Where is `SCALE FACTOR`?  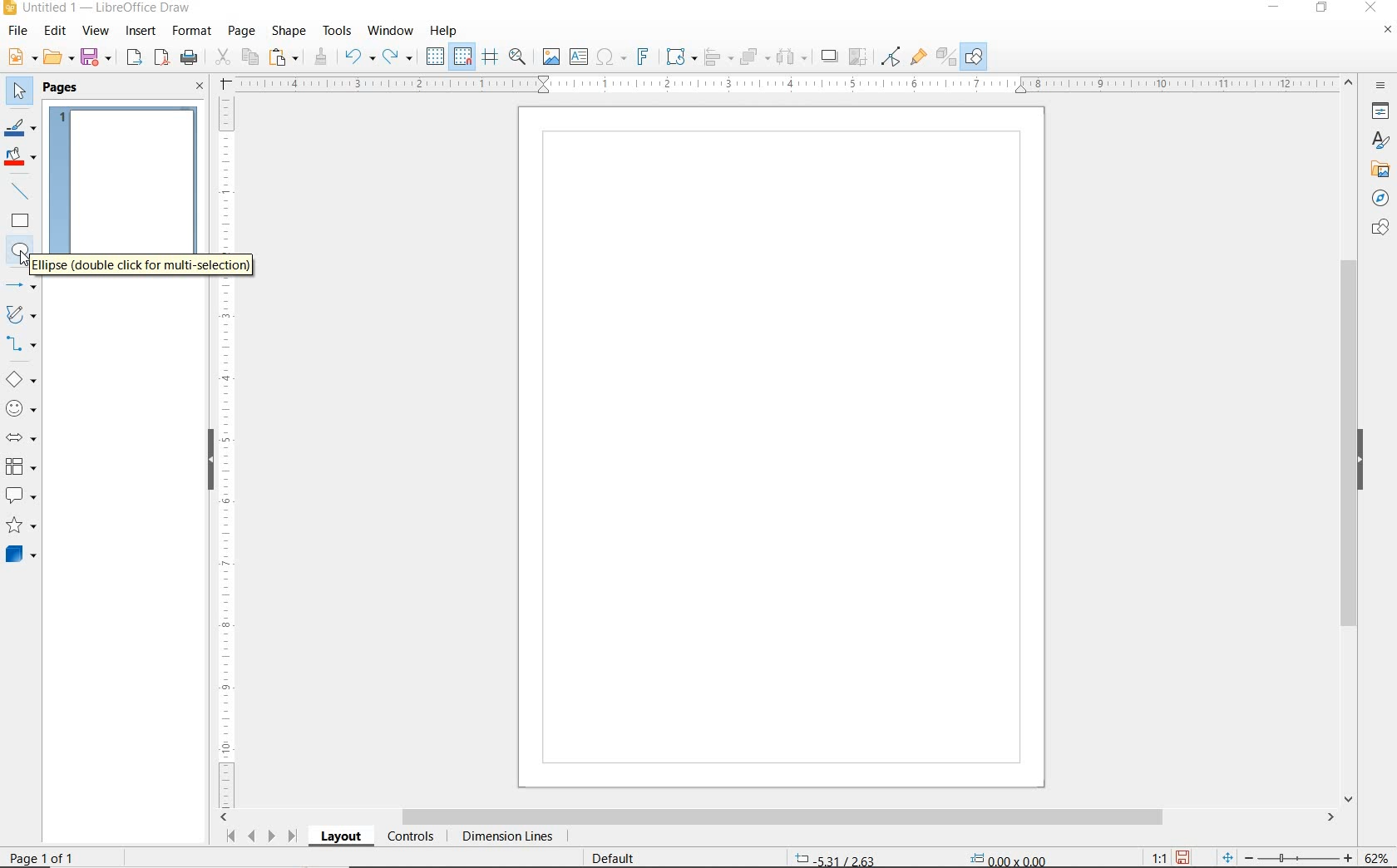
SCALE FACTOR is located at coordinates (1151, 857).